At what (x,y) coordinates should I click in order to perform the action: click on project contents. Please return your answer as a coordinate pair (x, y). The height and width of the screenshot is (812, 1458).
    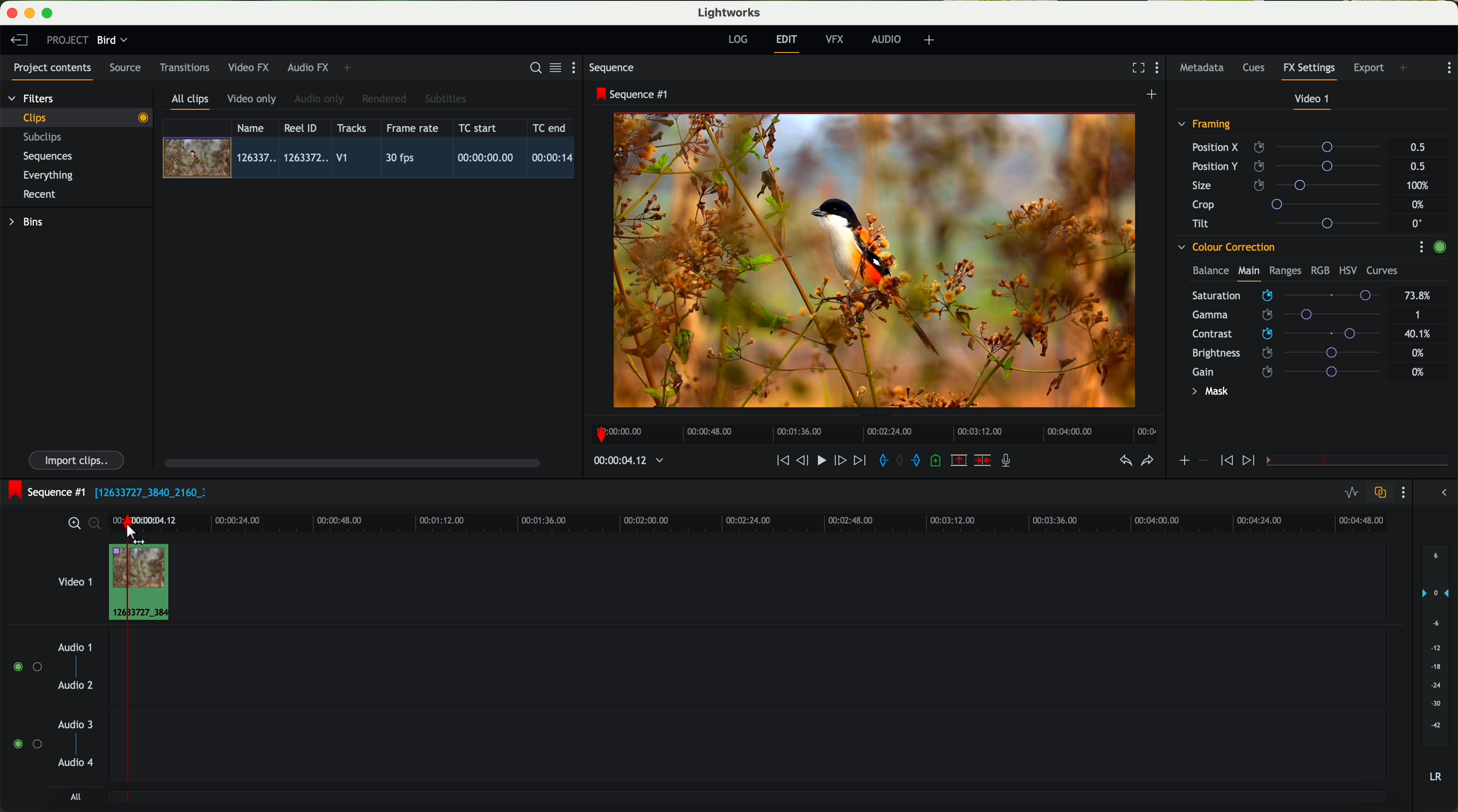
    Looking at the image, I should click on (53, 71).